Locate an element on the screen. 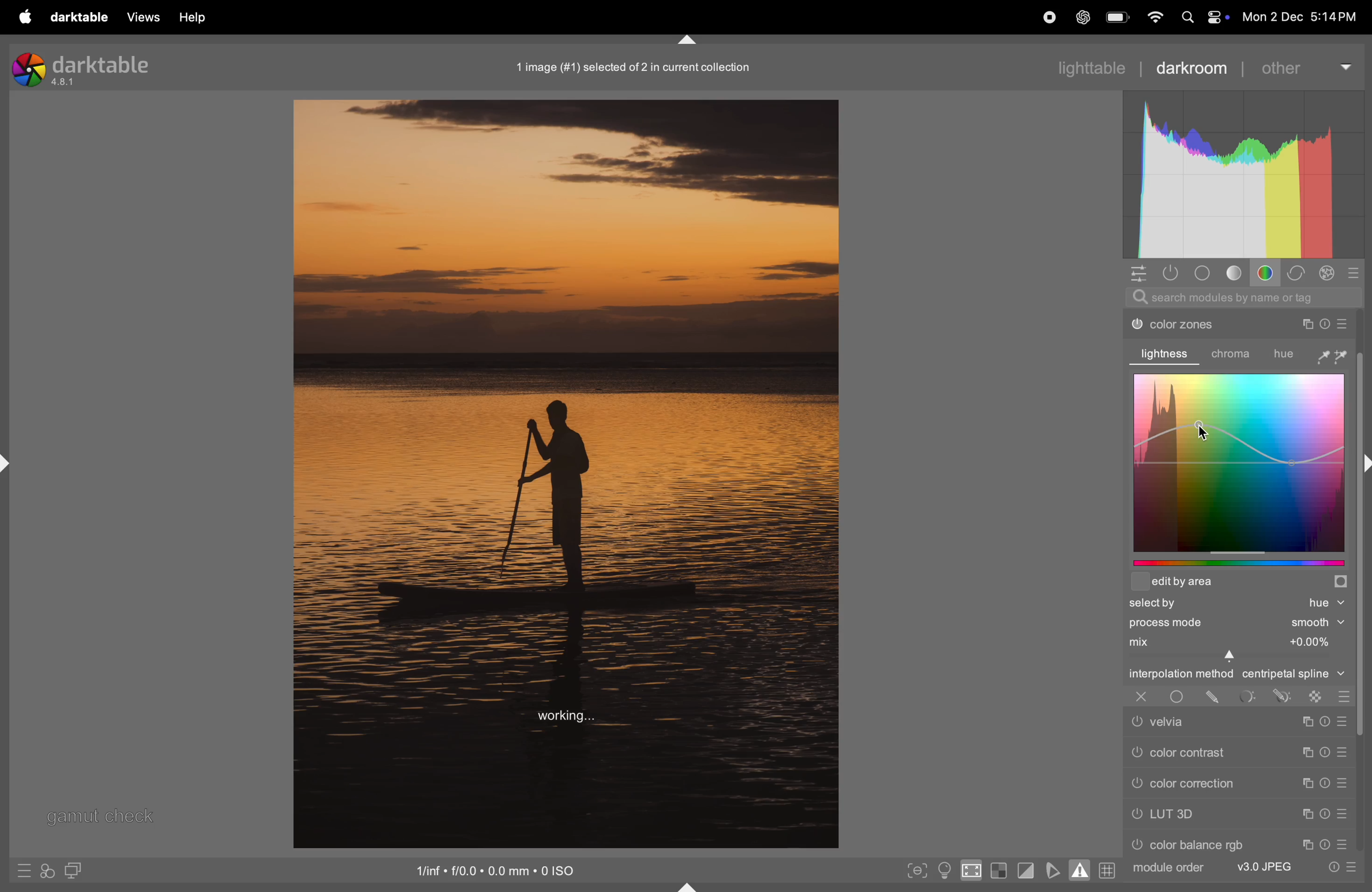 The width and height of the screenshot is (1372, 892). cahtgpt is located at coordinates (1081, 17).